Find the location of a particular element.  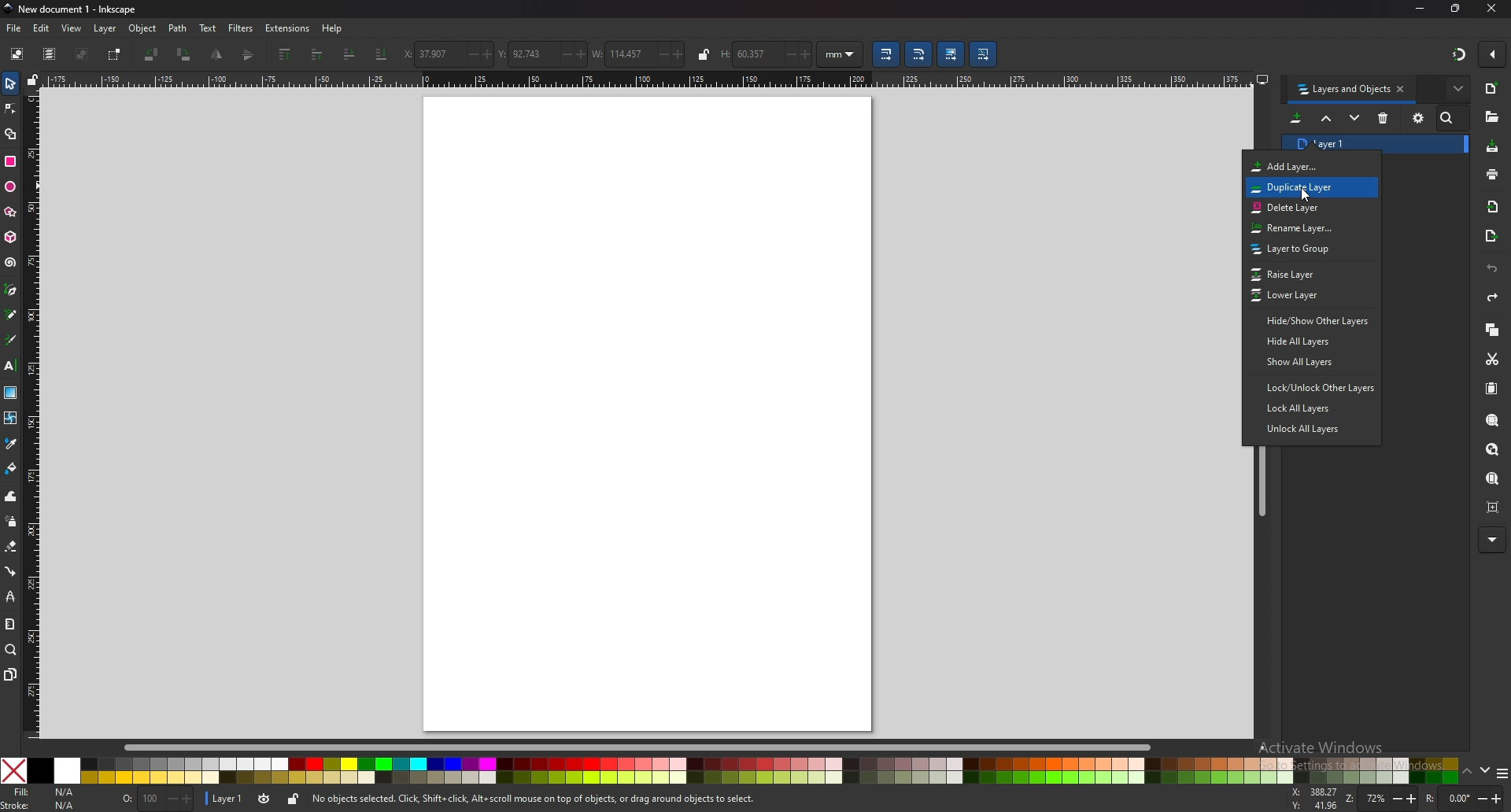

increase is located at coordinates (486, 54).